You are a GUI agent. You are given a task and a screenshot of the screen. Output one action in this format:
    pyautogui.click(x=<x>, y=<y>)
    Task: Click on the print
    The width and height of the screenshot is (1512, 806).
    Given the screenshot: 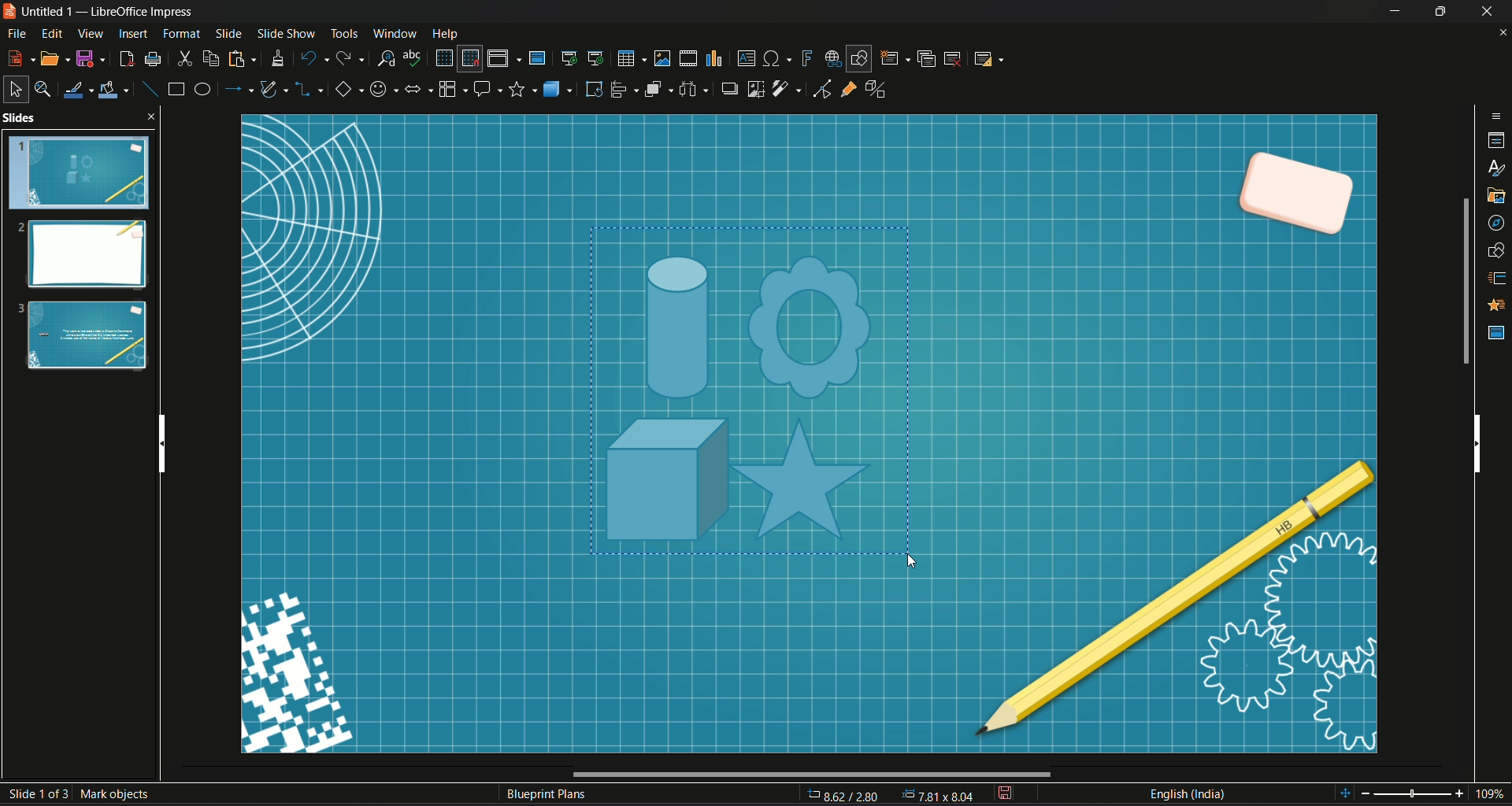 What is the action you would take?
    pyautogui.click(x=153, y=59)
    